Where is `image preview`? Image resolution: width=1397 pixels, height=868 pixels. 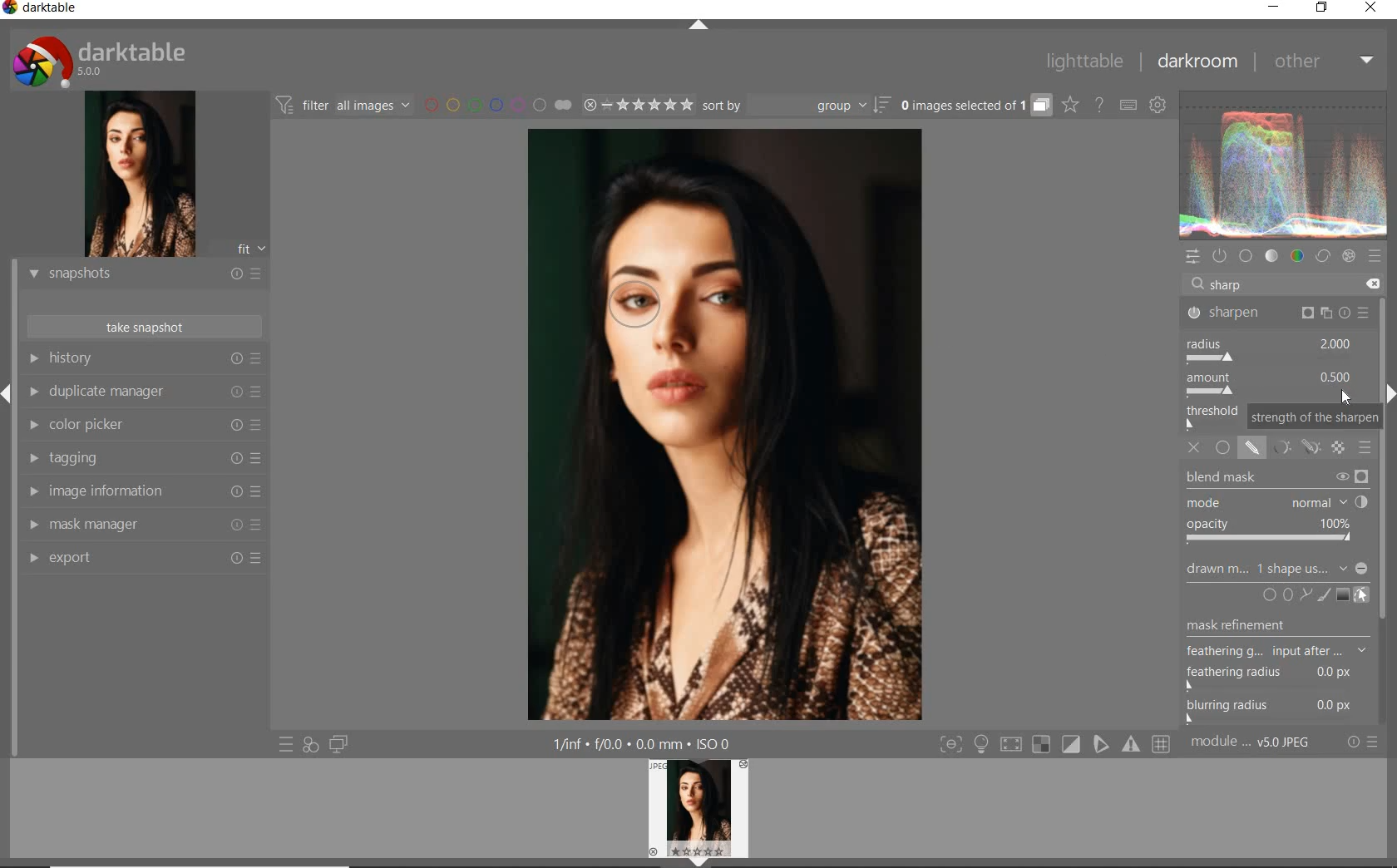 image preview is located at coordinates (141, 174).